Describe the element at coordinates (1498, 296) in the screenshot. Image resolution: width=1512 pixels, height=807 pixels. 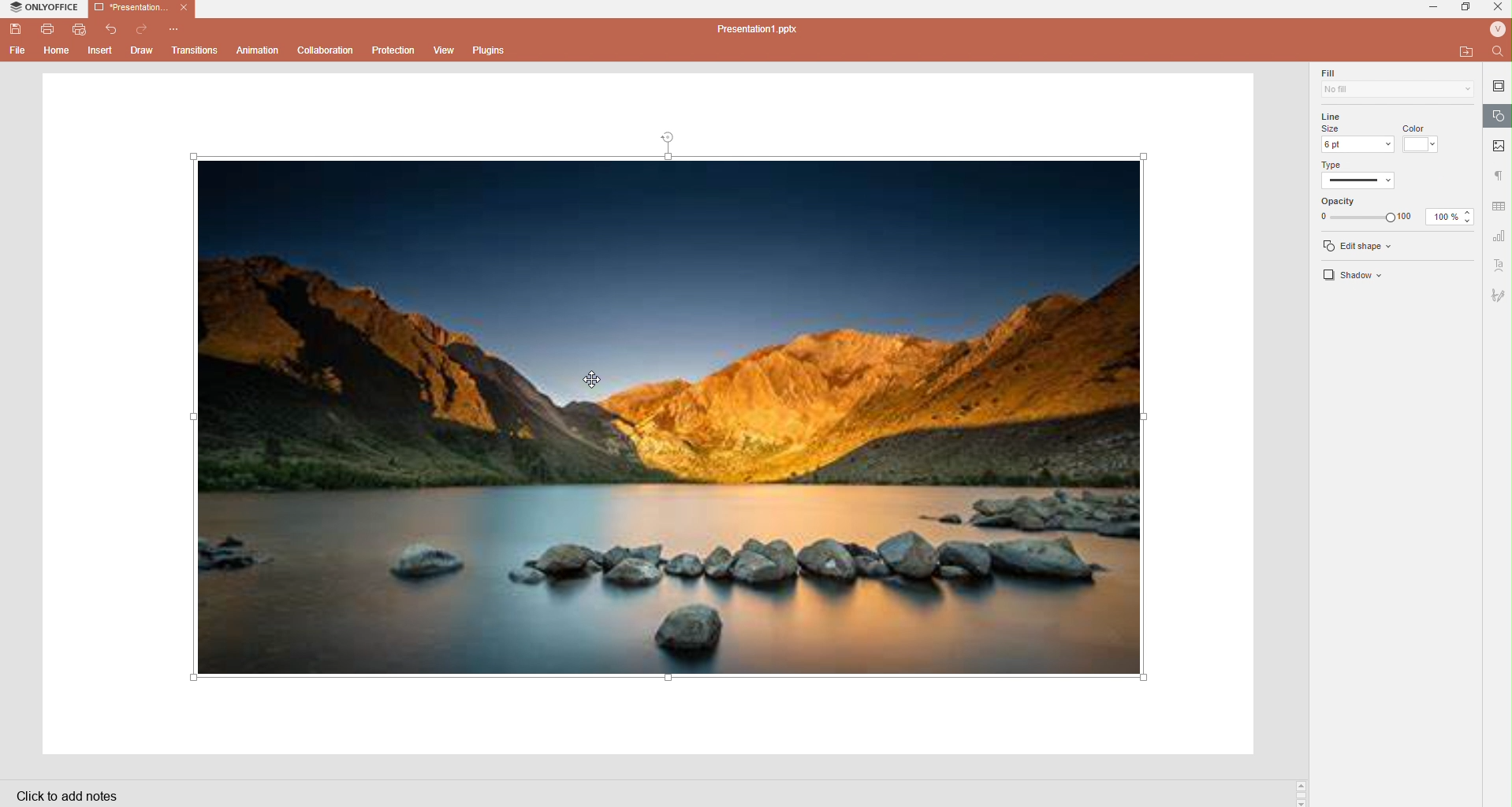
I see `Draw settings` at that location.